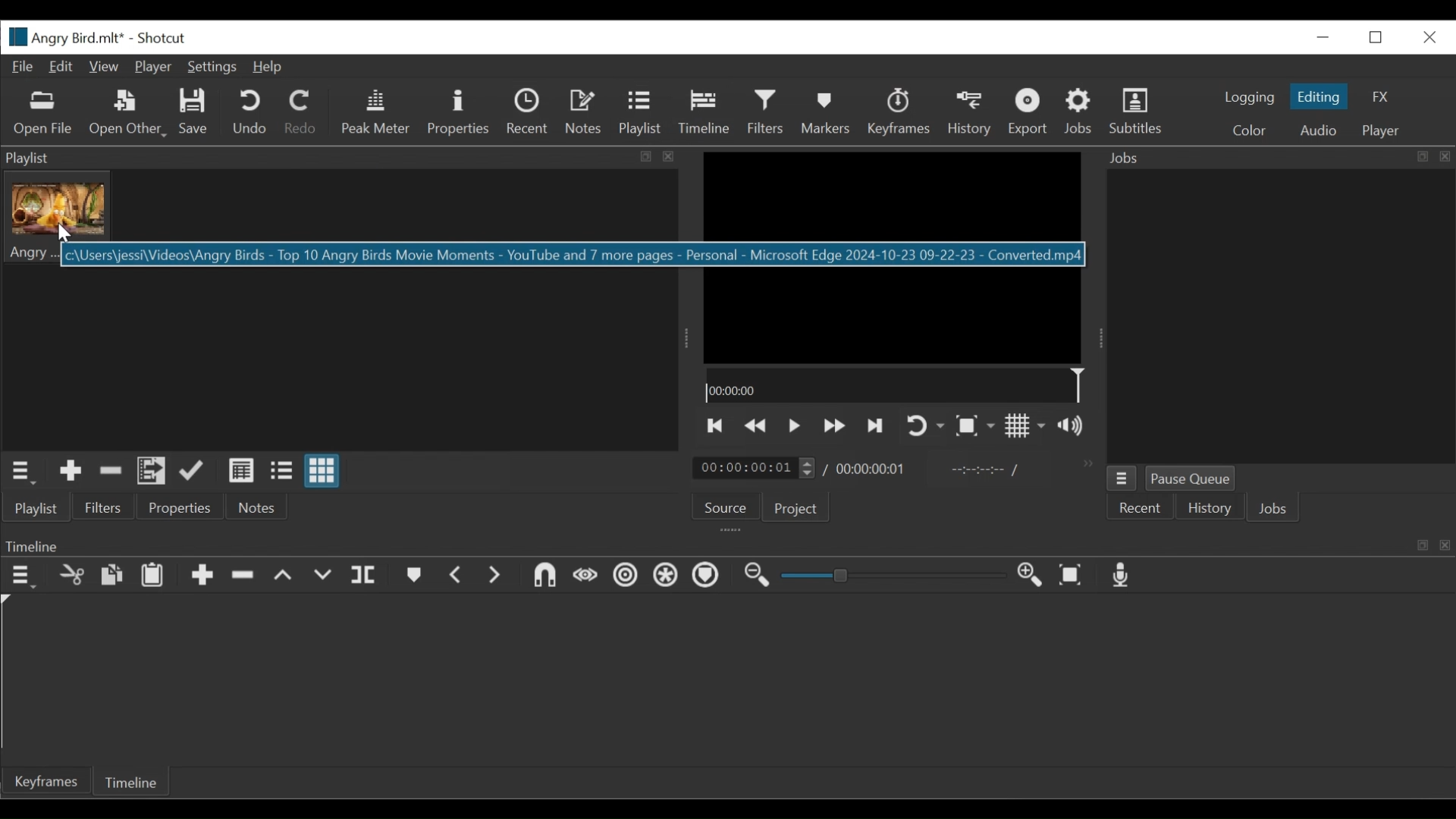  I want to click on Skip to the previous point, so click(715, 425).